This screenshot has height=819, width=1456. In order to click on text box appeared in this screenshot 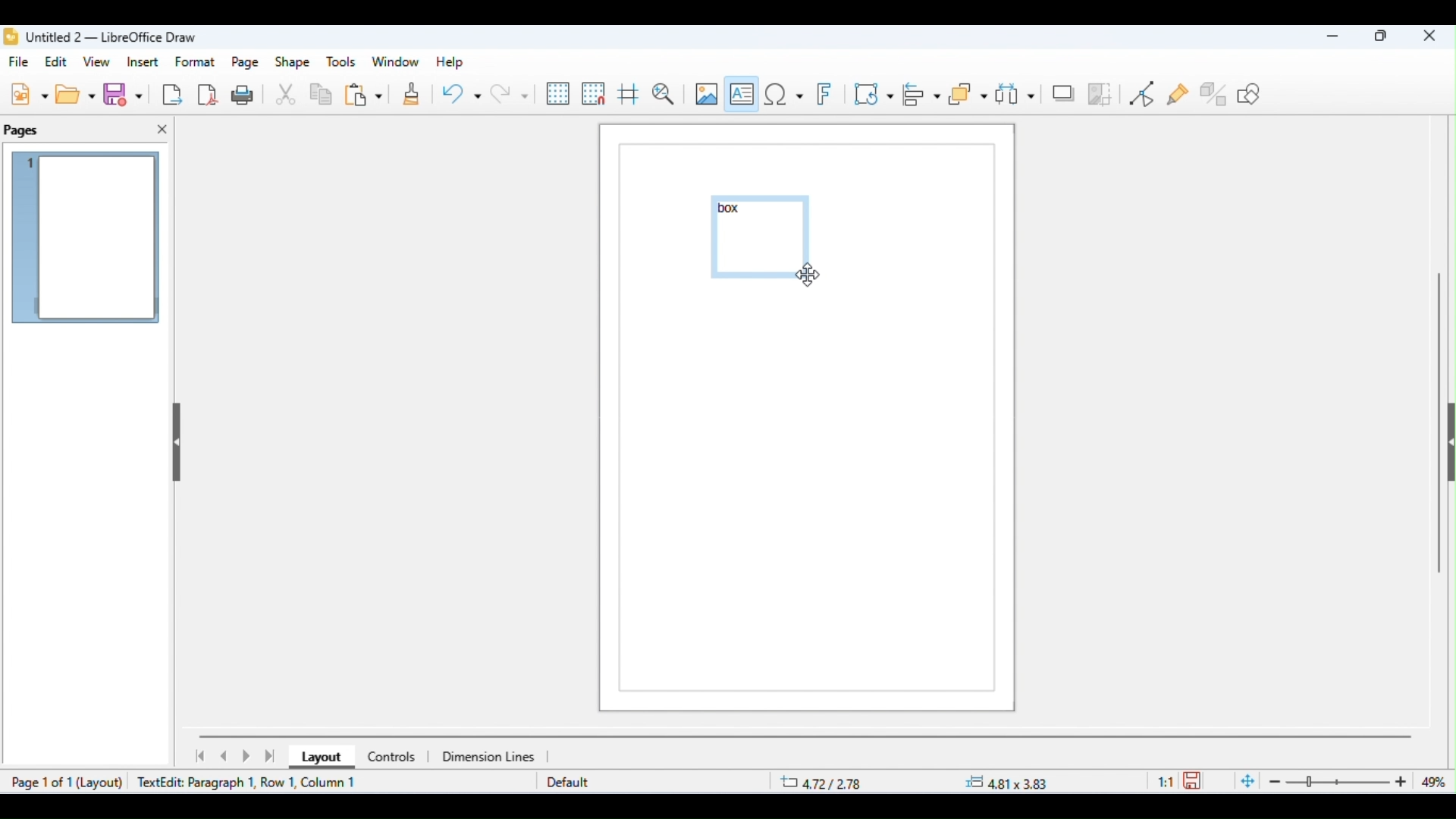, I will do `click(764, 238)`.